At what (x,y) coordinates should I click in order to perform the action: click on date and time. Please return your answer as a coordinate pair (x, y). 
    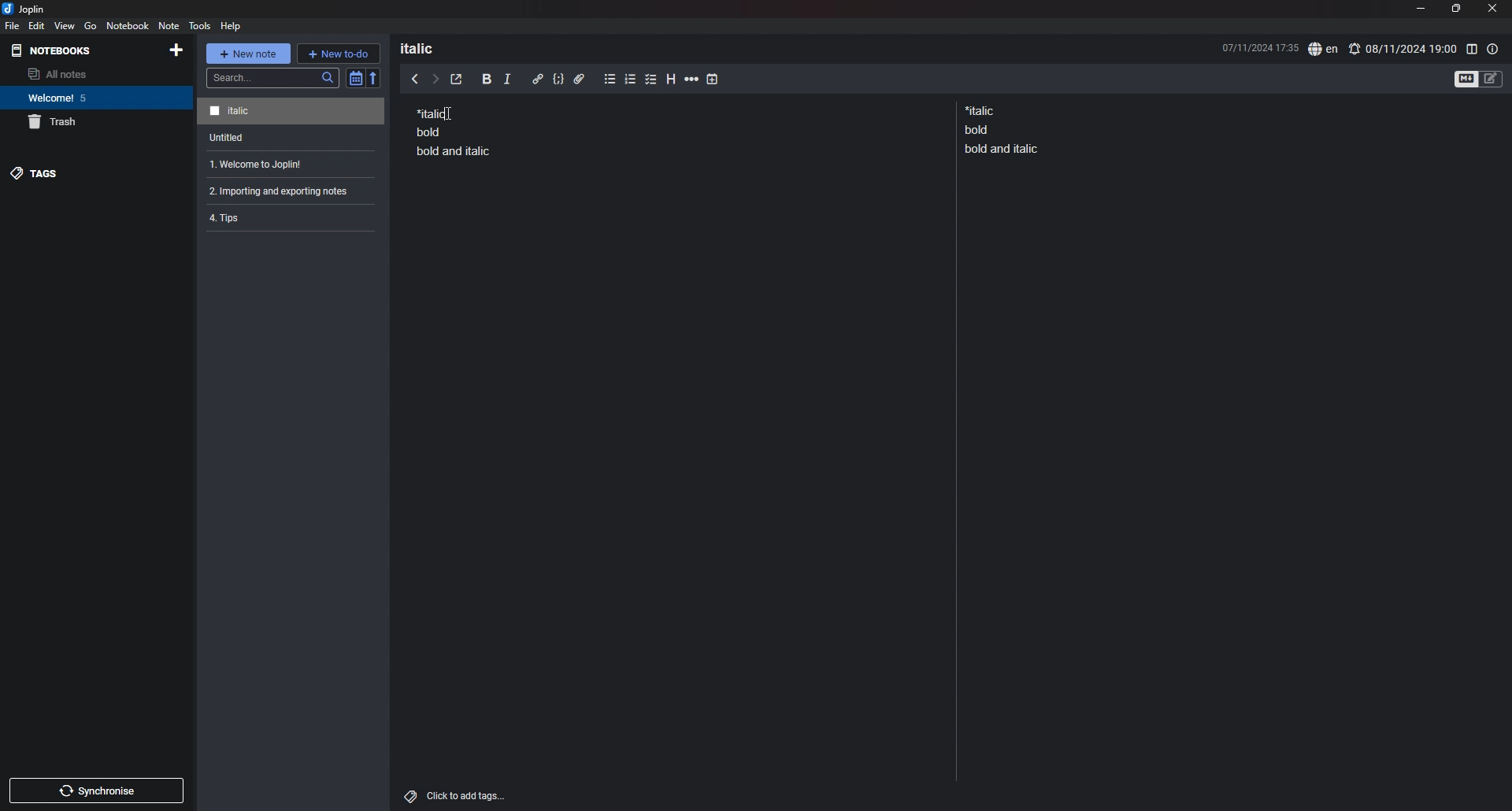
    Looking at the image, I should click on (1259, 46).